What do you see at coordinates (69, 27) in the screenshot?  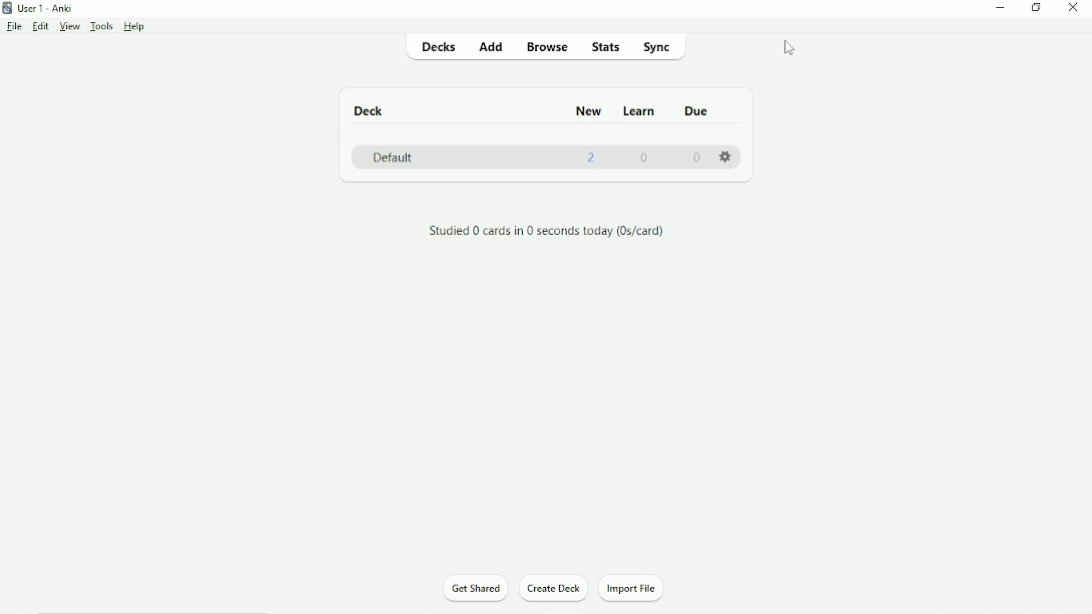 I see `View` at bounding box center [69, 27].